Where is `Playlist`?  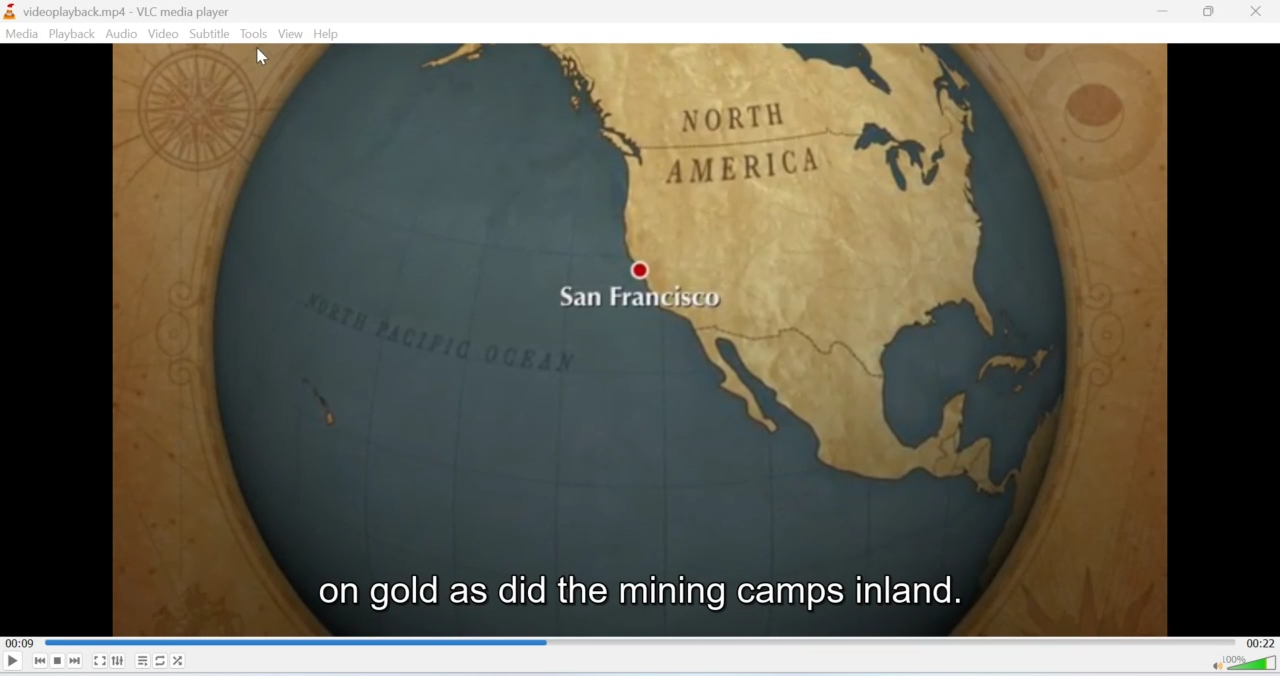 Playlist is located at coordinates (142, 660).